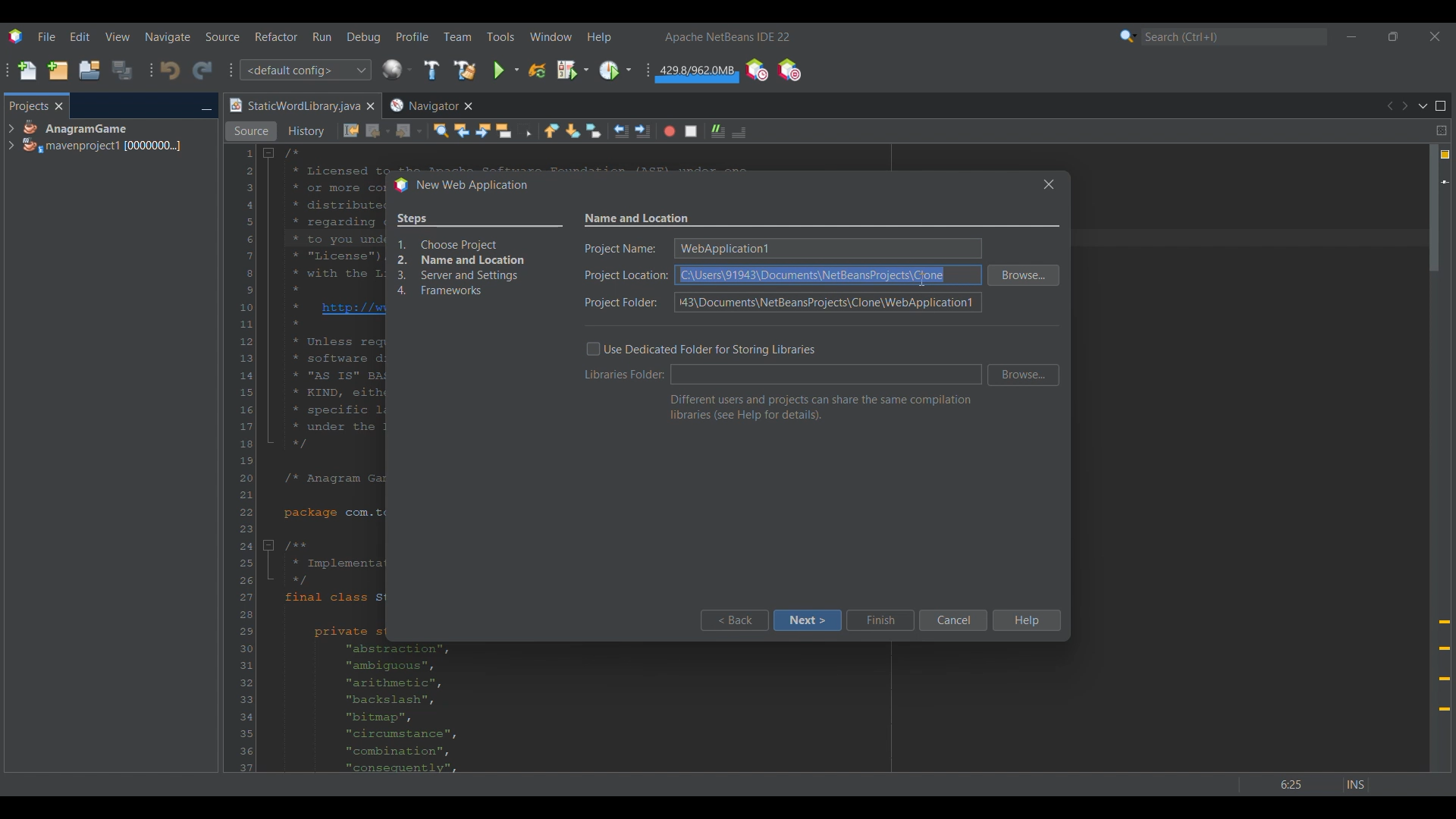 This screenshot has width=1456, height=819. What do you see at coordinates (1351, 36) in the screenshot?
I see `Minimize` at bounding box center [1351, 36].